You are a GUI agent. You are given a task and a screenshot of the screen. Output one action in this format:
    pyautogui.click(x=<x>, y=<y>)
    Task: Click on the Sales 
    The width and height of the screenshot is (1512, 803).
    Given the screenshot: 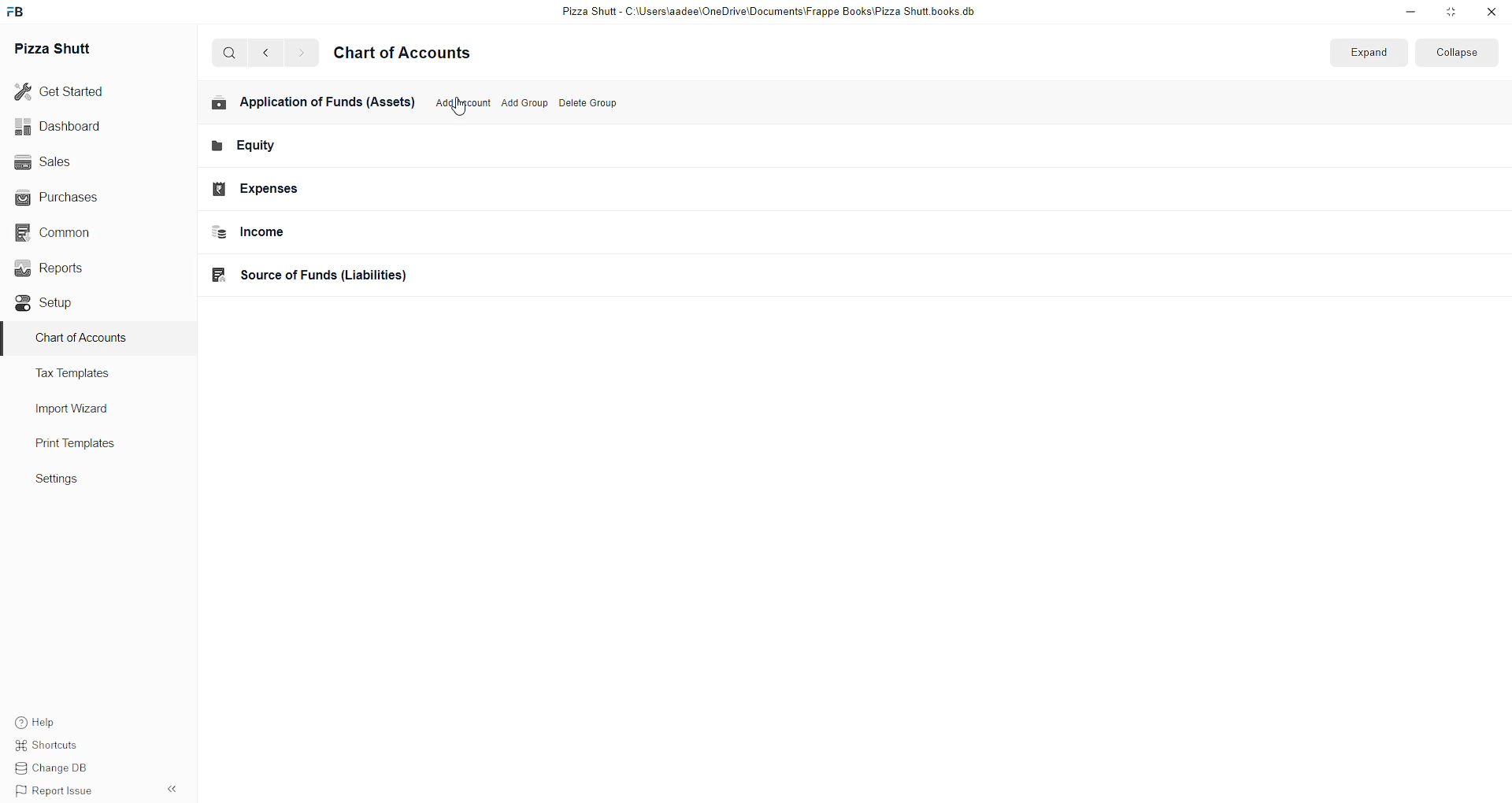 What is the action you would take?
    pyautogui.click(x=68, y=163)
    